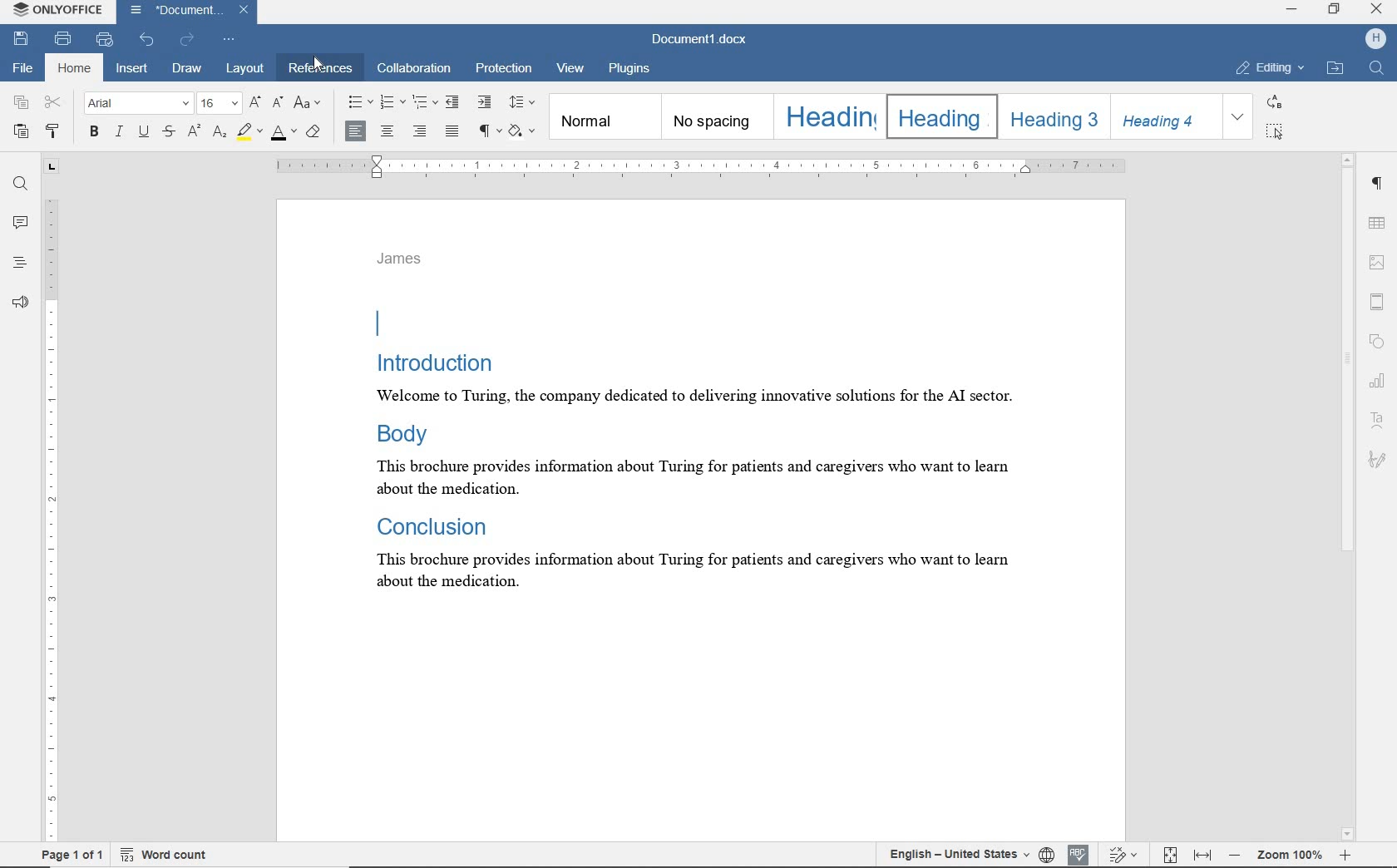 The height and width of the screenshot is (868, 1397). I want to click on document name, so click(696, 37).